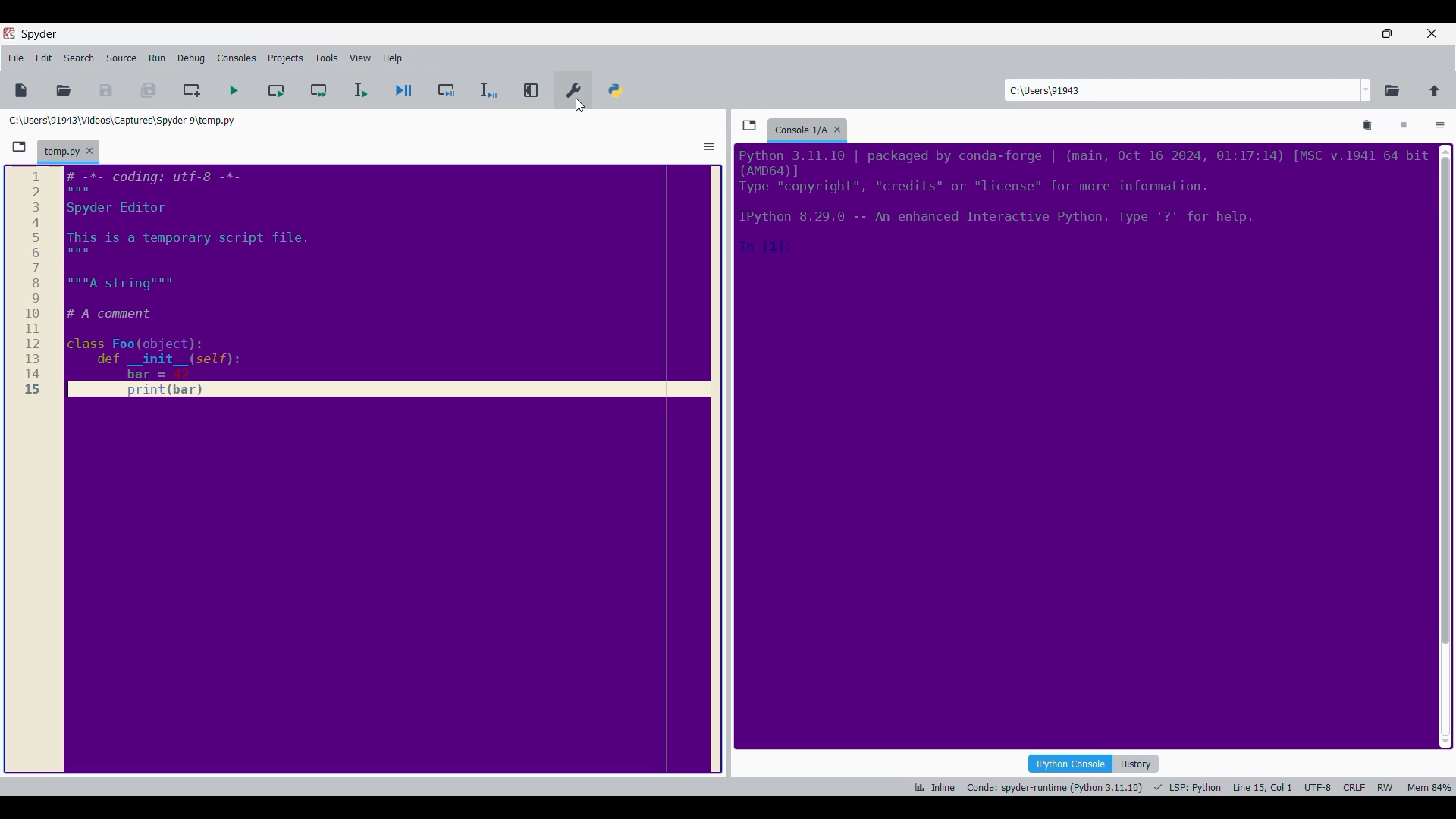 The height and width of the screenshot is (819, 1456). What do you see at coordinates (1446, 447) in the screenshot?
I see `Vertical slide bar` at bounding box center [1446, 447].